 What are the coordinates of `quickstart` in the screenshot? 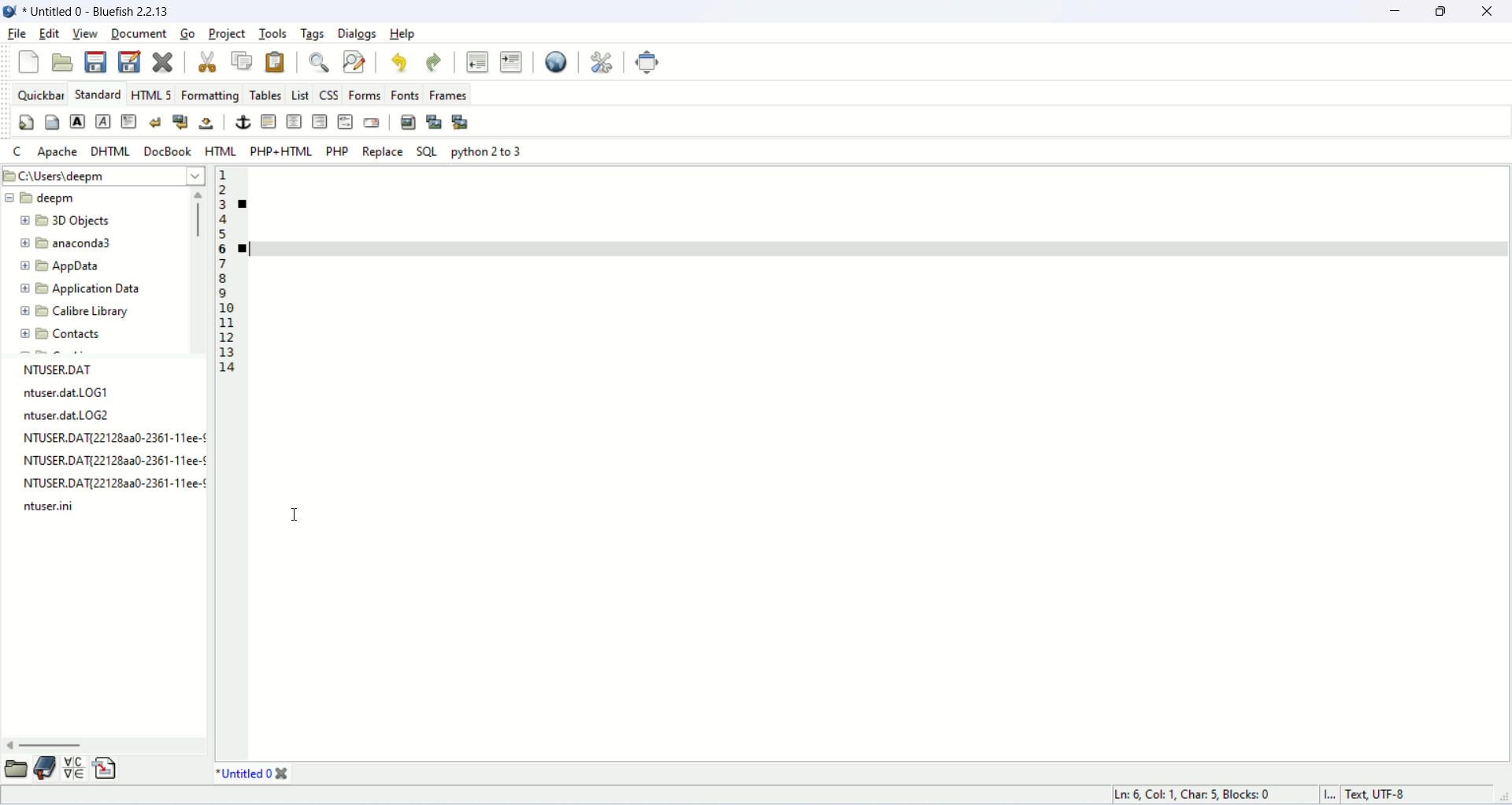 It's located at (26, 122).